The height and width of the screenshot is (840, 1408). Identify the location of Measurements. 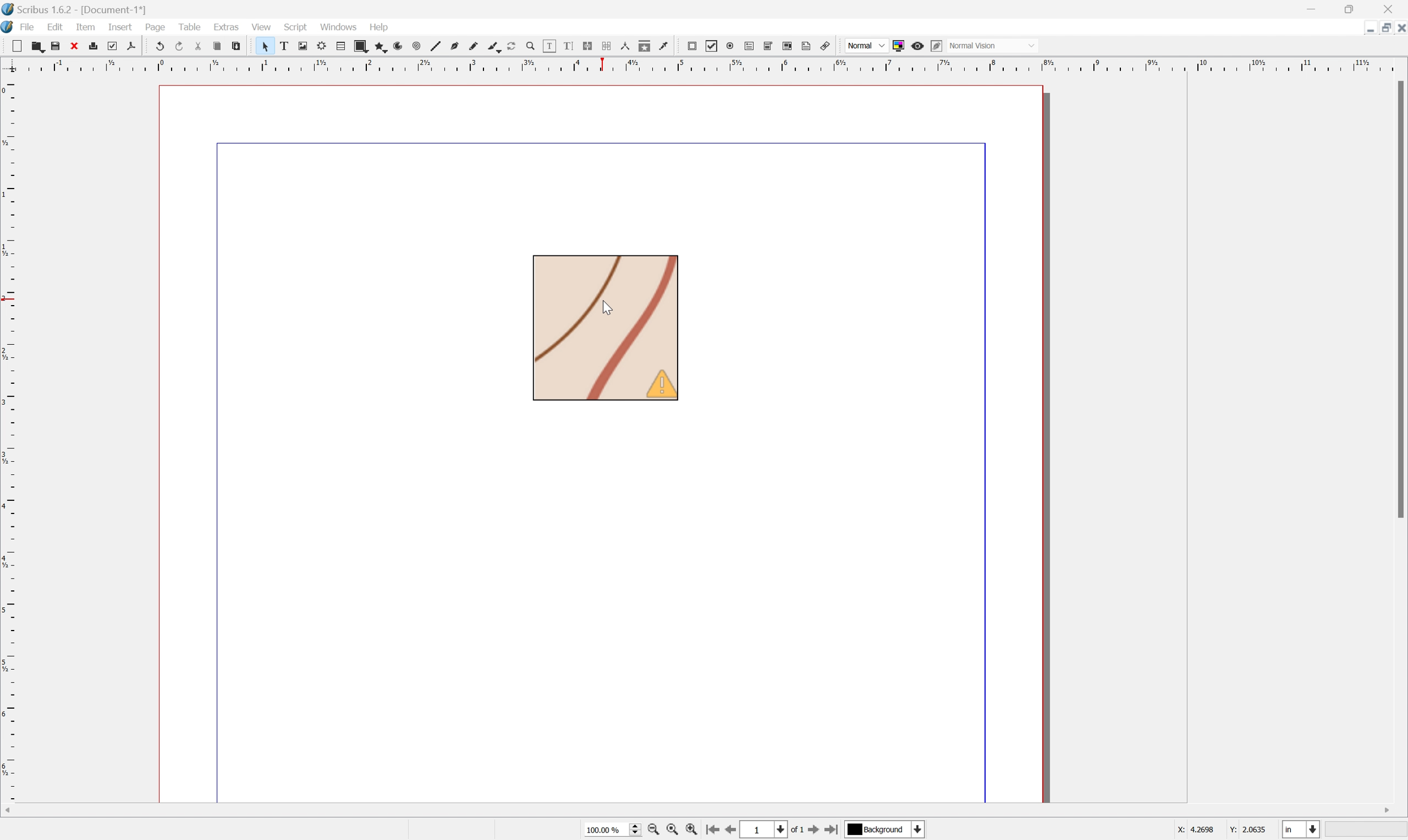
(626, 47).